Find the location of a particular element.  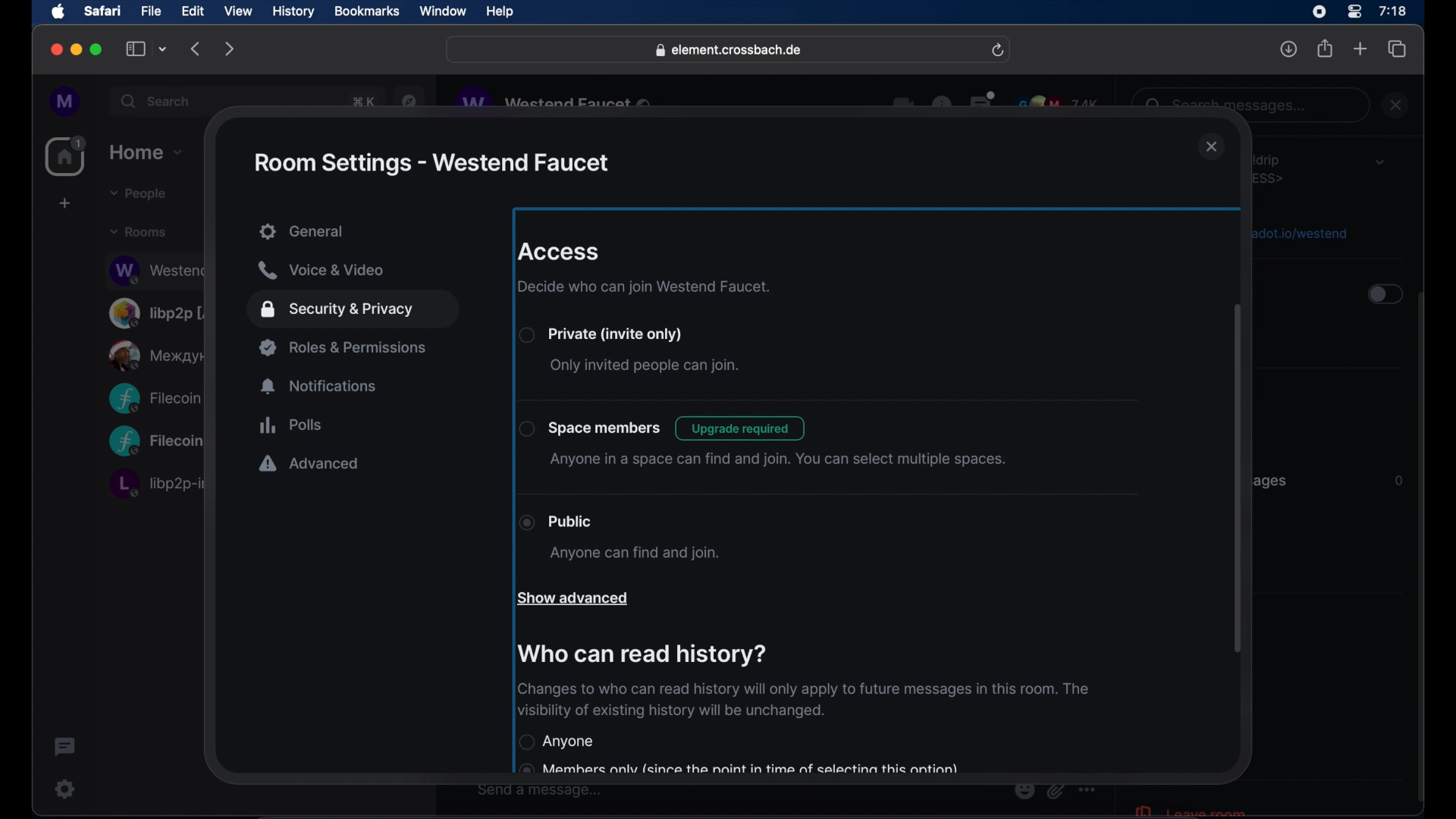

close is located at coordinates (1212, 148).